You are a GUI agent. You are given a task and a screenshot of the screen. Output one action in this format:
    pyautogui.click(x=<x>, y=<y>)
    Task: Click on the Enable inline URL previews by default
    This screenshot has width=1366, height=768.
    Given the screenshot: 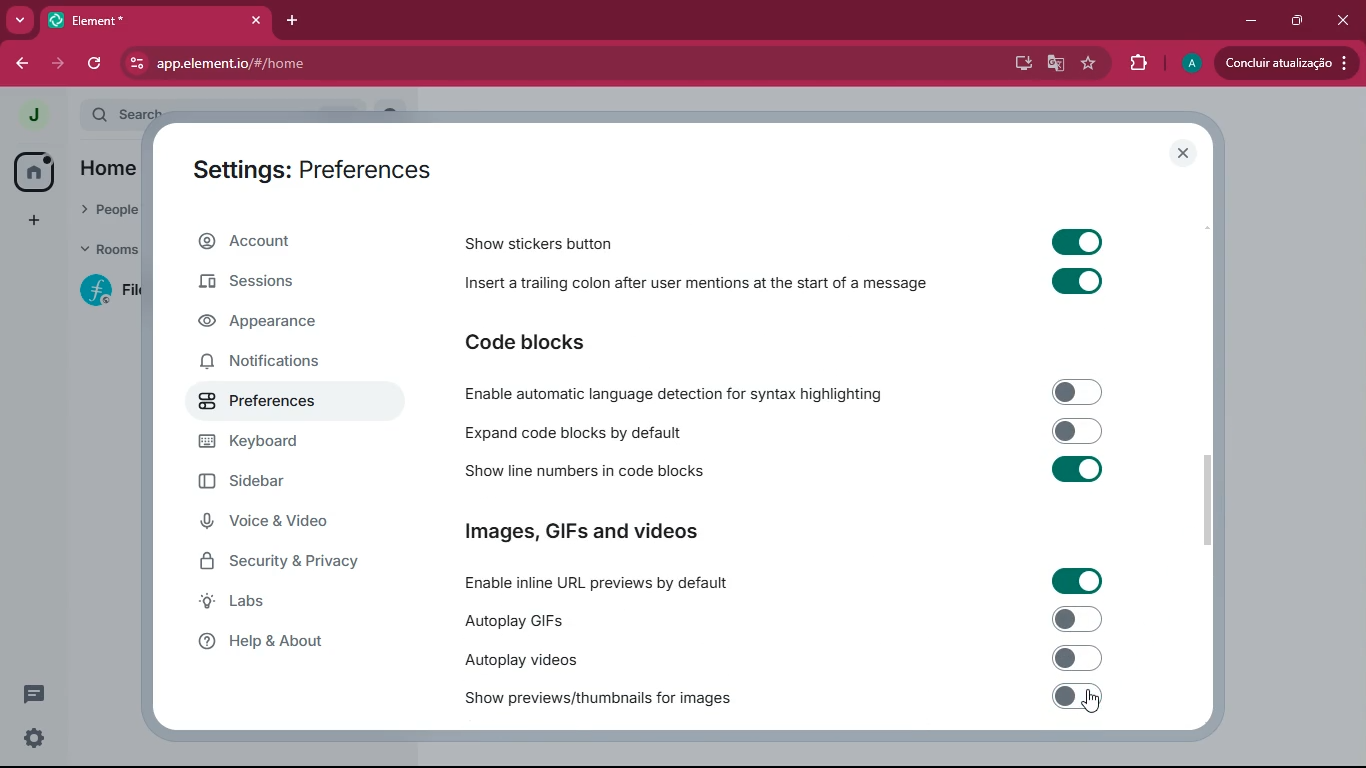 What is the action you would take?
    pyautogui.click(x=597, y=585)
    